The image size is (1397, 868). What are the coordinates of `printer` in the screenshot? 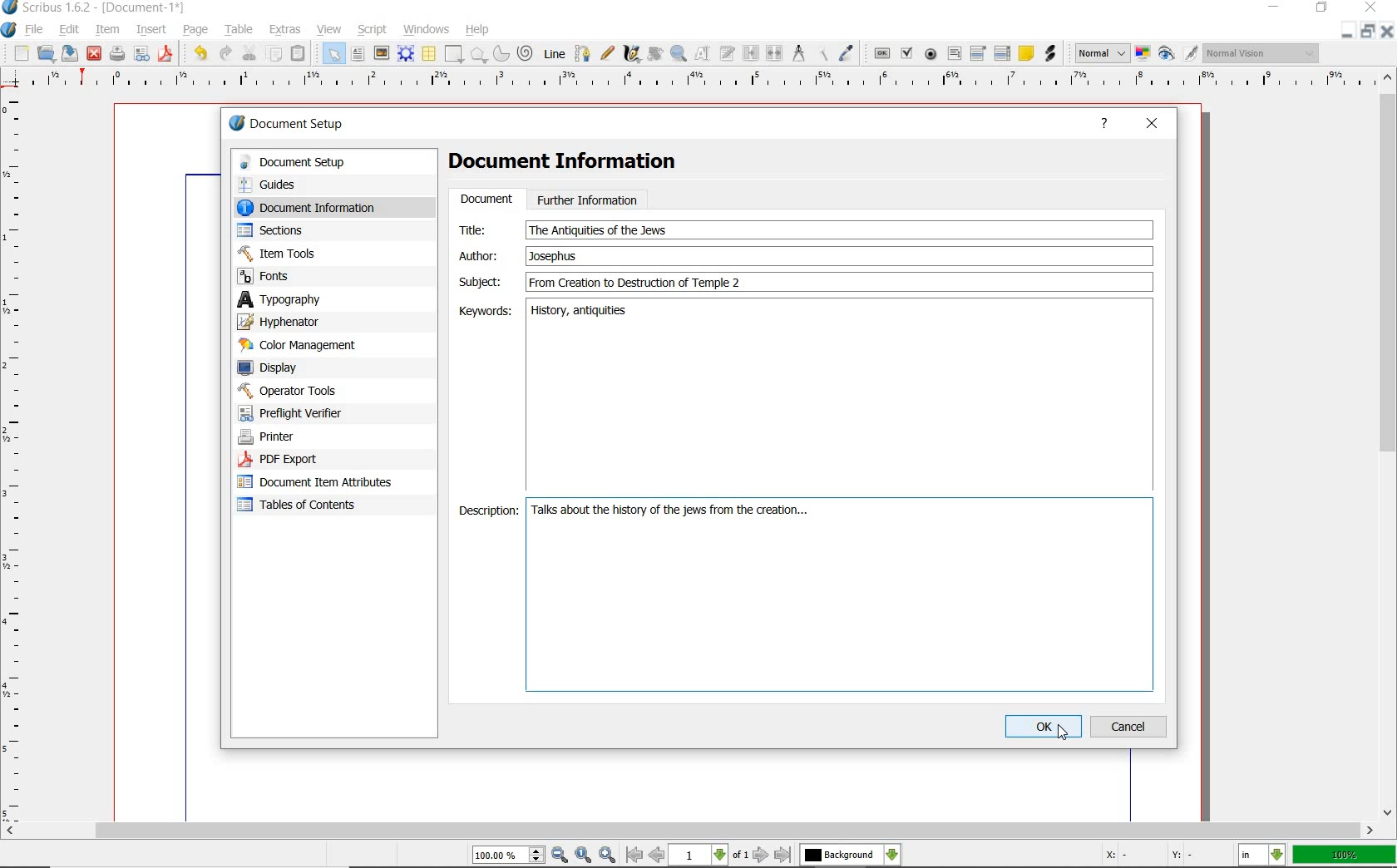 It's located at (306, 437).